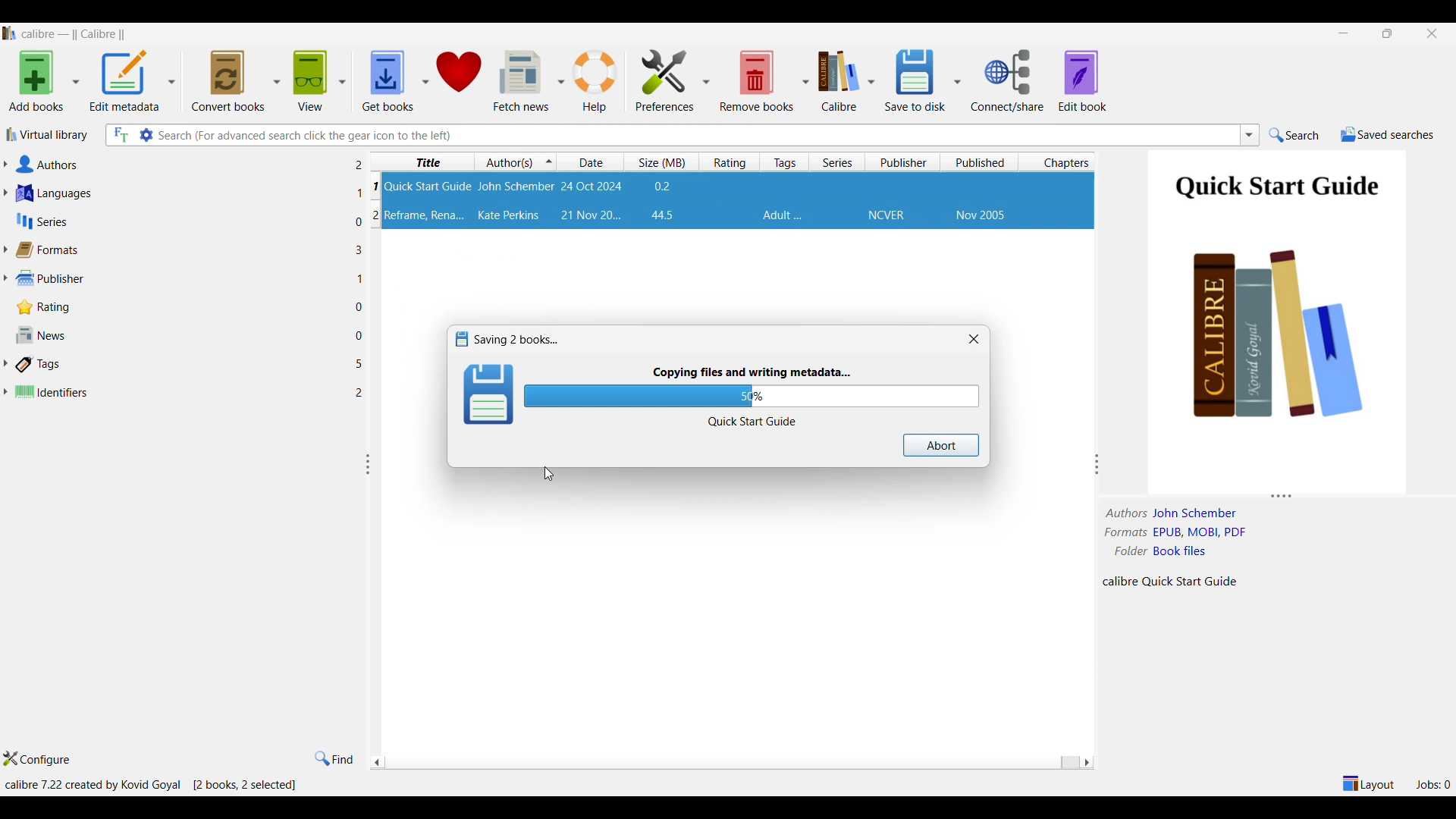 This screenshot has width=1456, height=819. I want to click on Tags, so click(174, 364).